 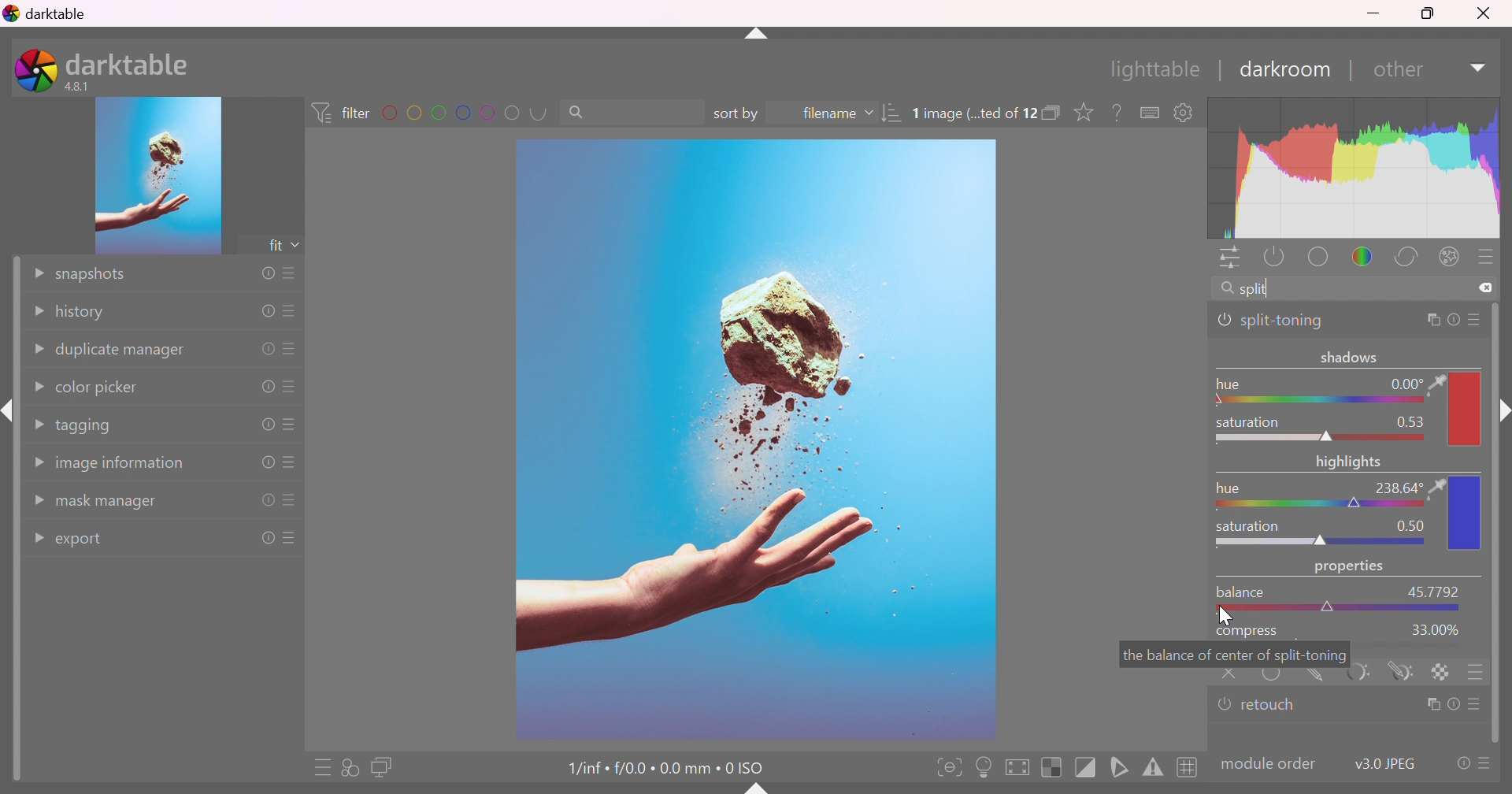 I want to click on drawn mask, so click(x=1319, y=676).